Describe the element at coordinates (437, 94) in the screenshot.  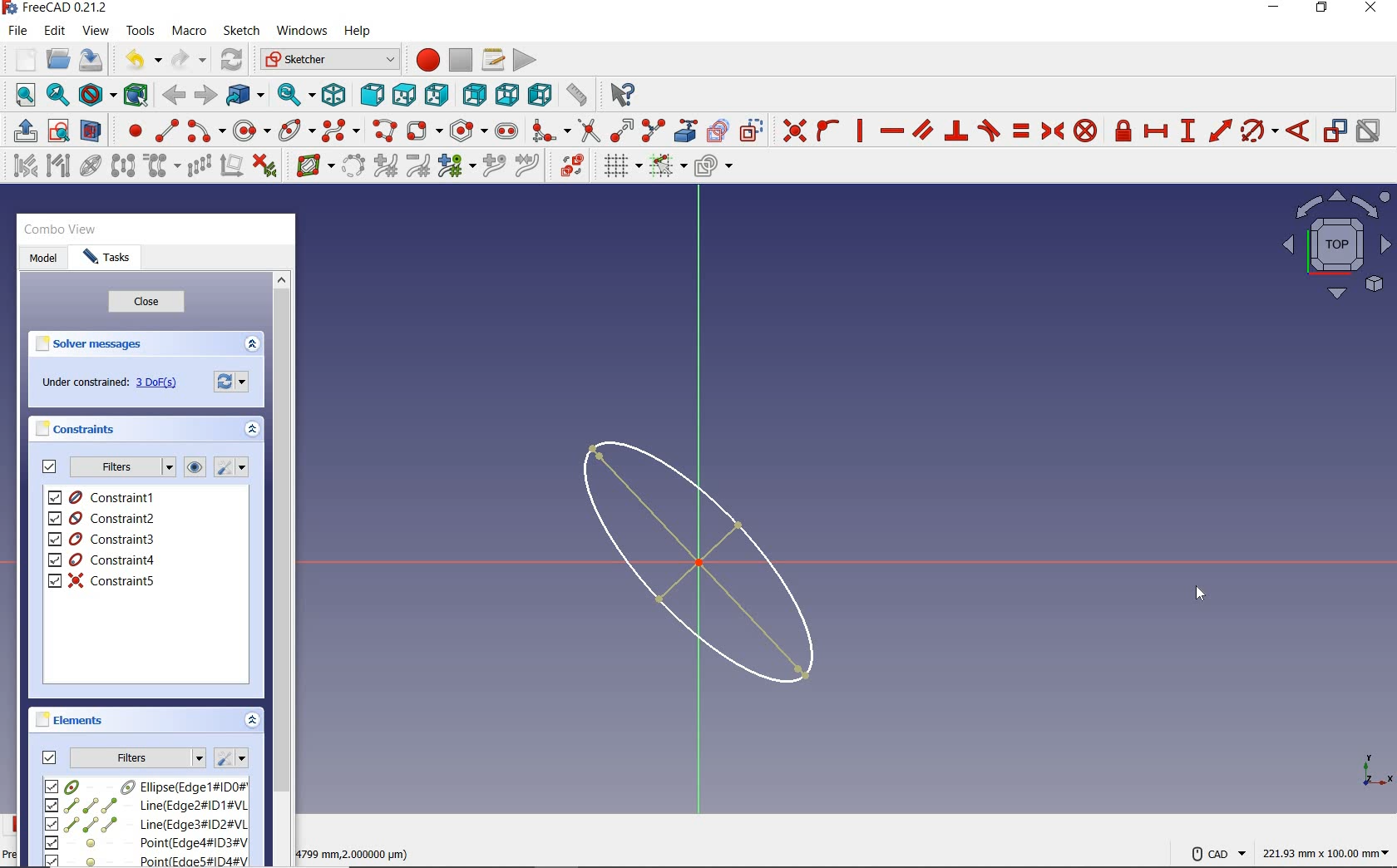
I see `right` at that location.